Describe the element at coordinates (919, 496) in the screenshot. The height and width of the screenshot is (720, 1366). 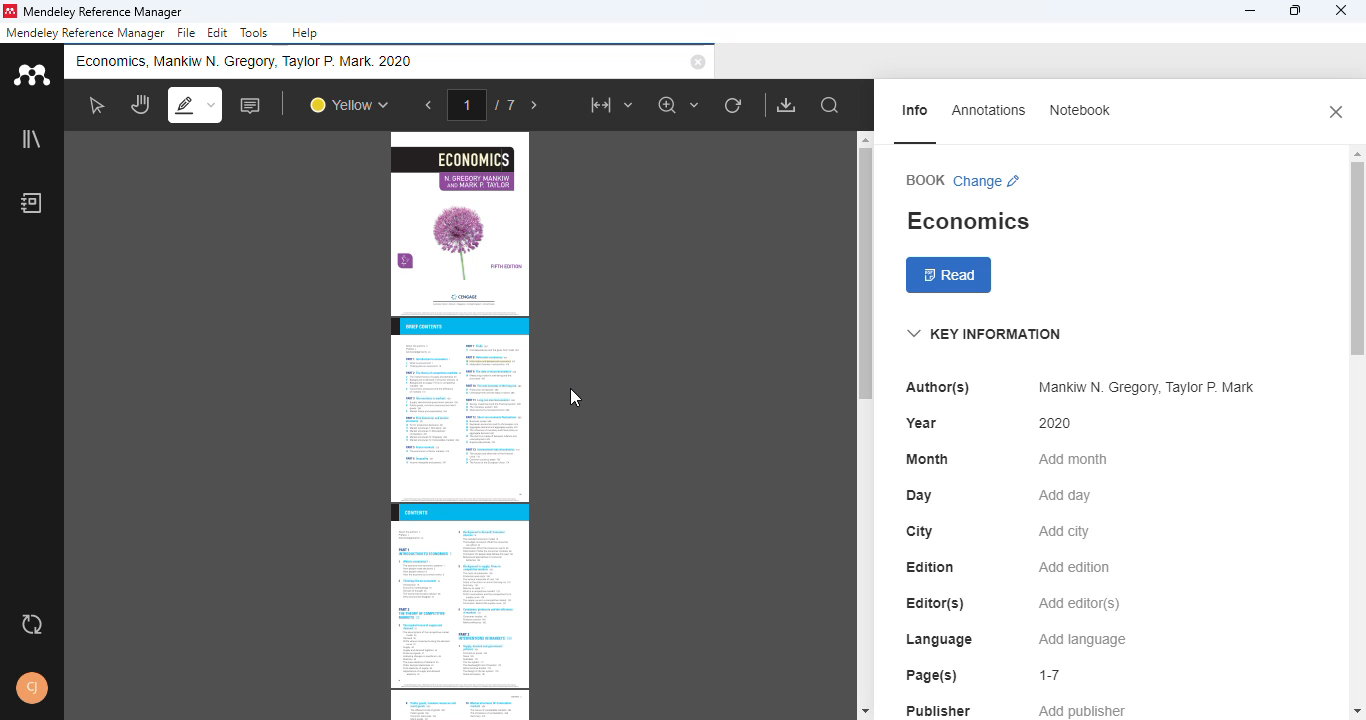
I see `day` at that location.